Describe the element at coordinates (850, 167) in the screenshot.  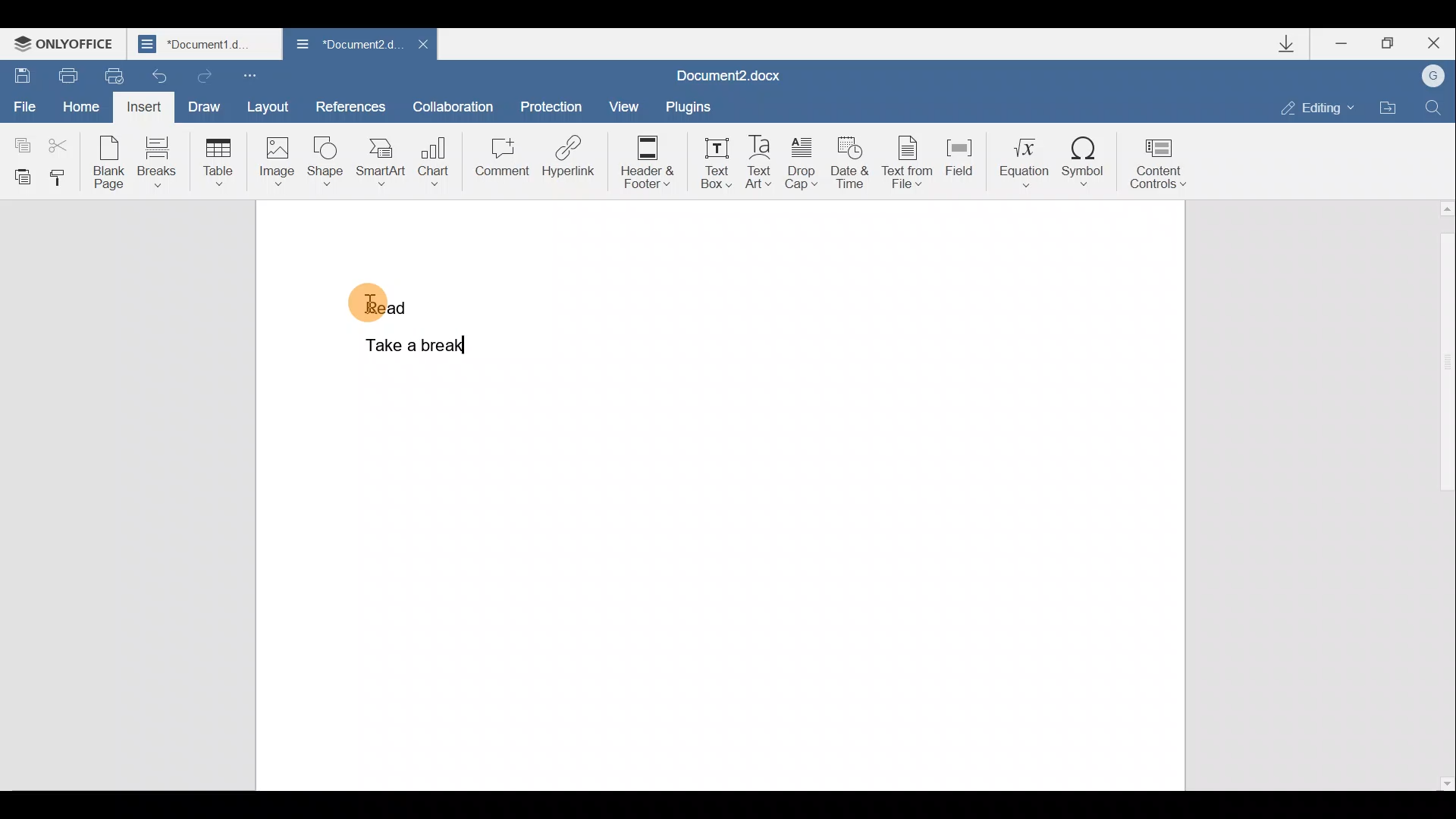
I see `Date & time` at that location.